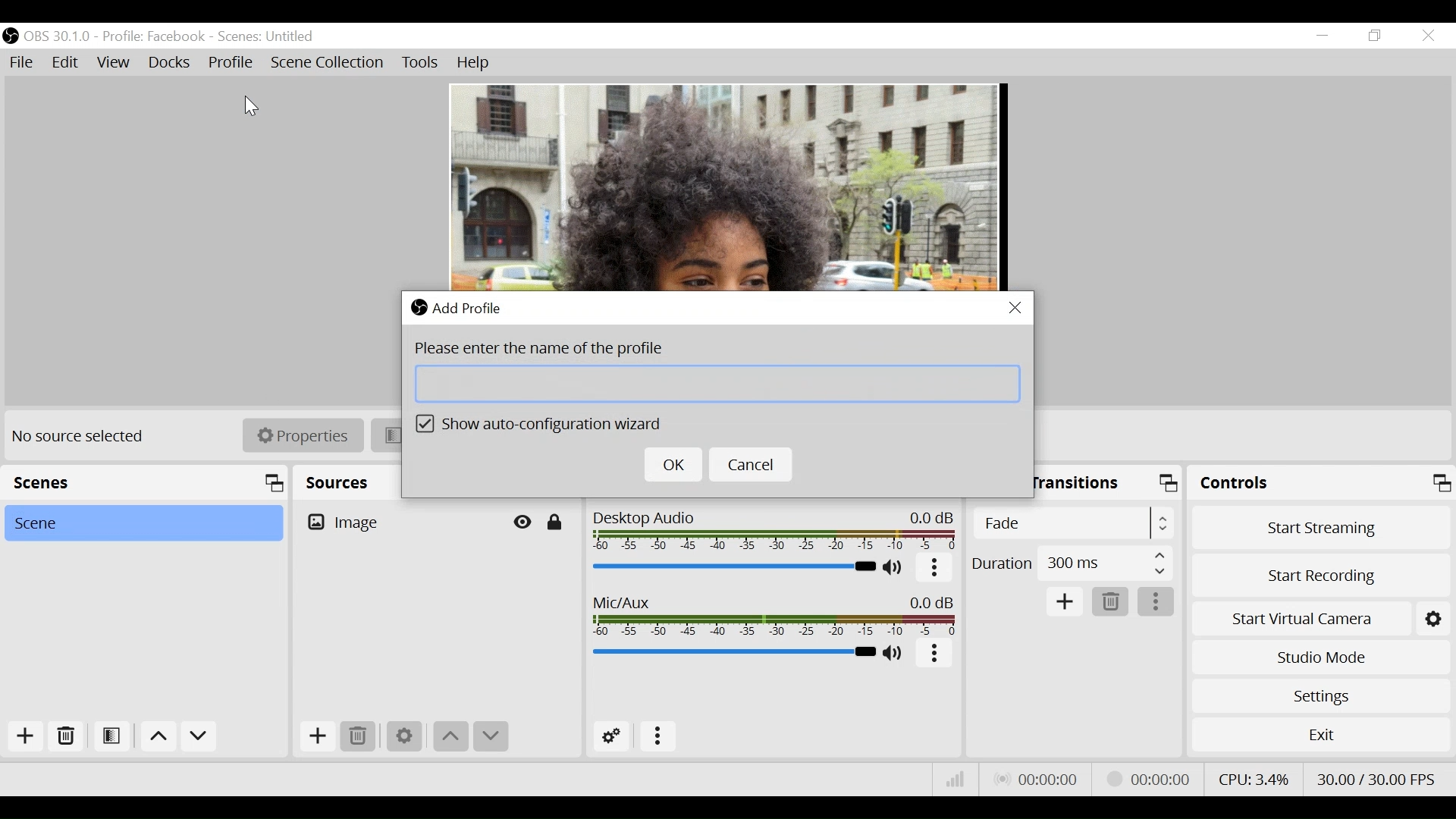 This screenshot has height=819, width=1456. Describe the element at coordinates (1319, 734) in the screenshot. I see `Exit` at that location.